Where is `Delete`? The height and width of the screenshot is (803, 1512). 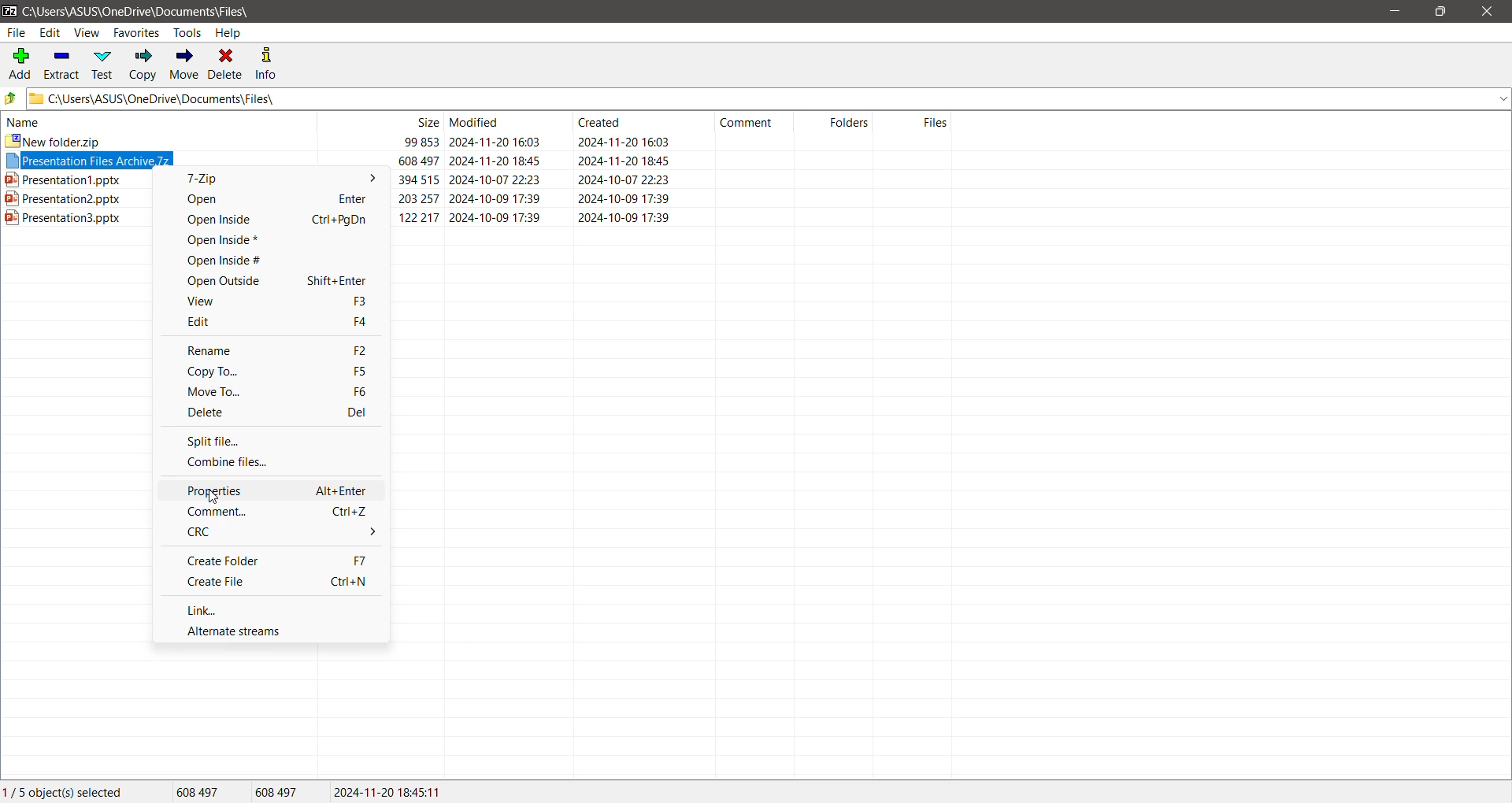
Delete is located at coordinates (228, 413).